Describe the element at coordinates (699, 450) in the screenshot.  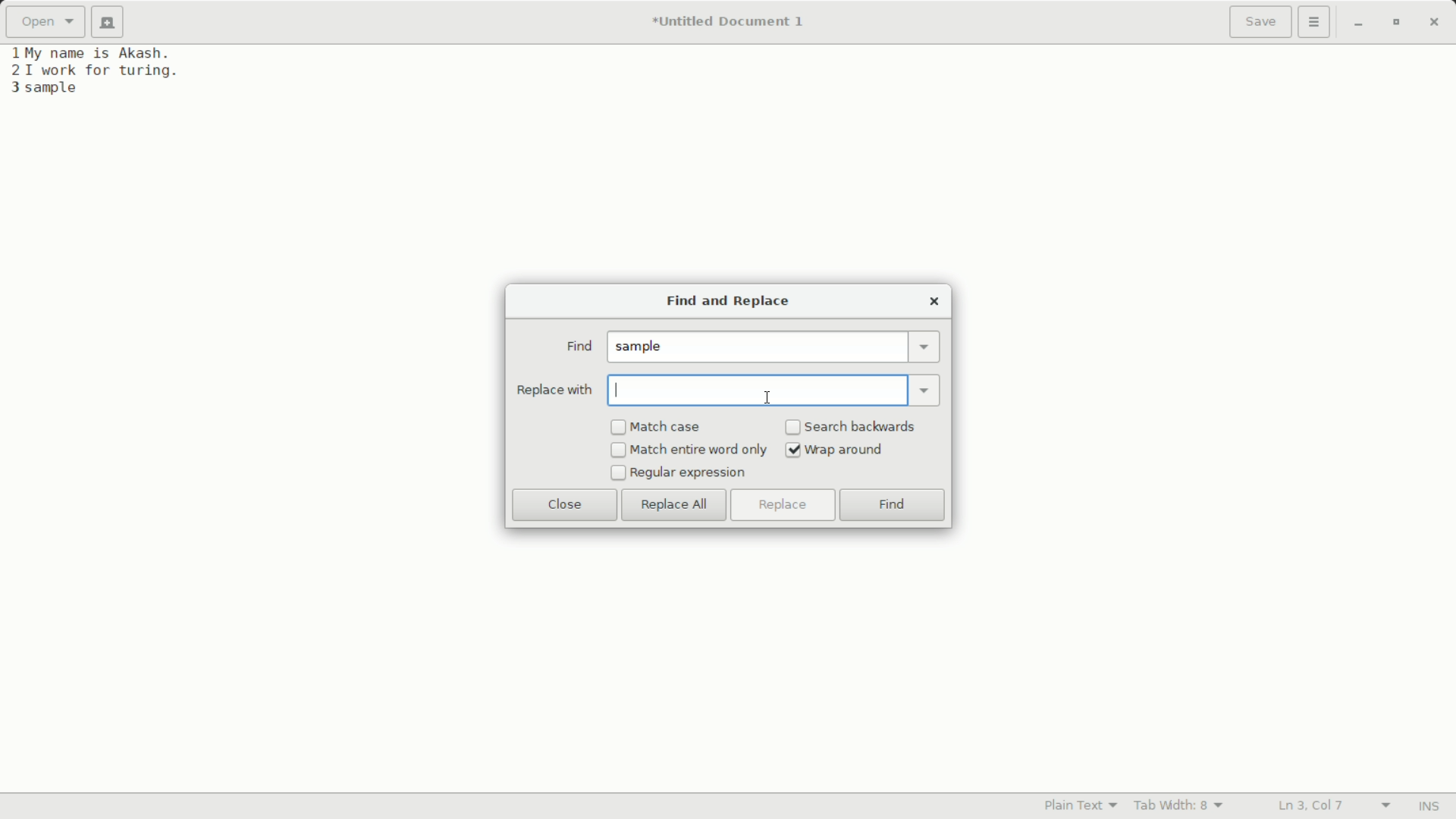
I see `match entire word only` at that location.